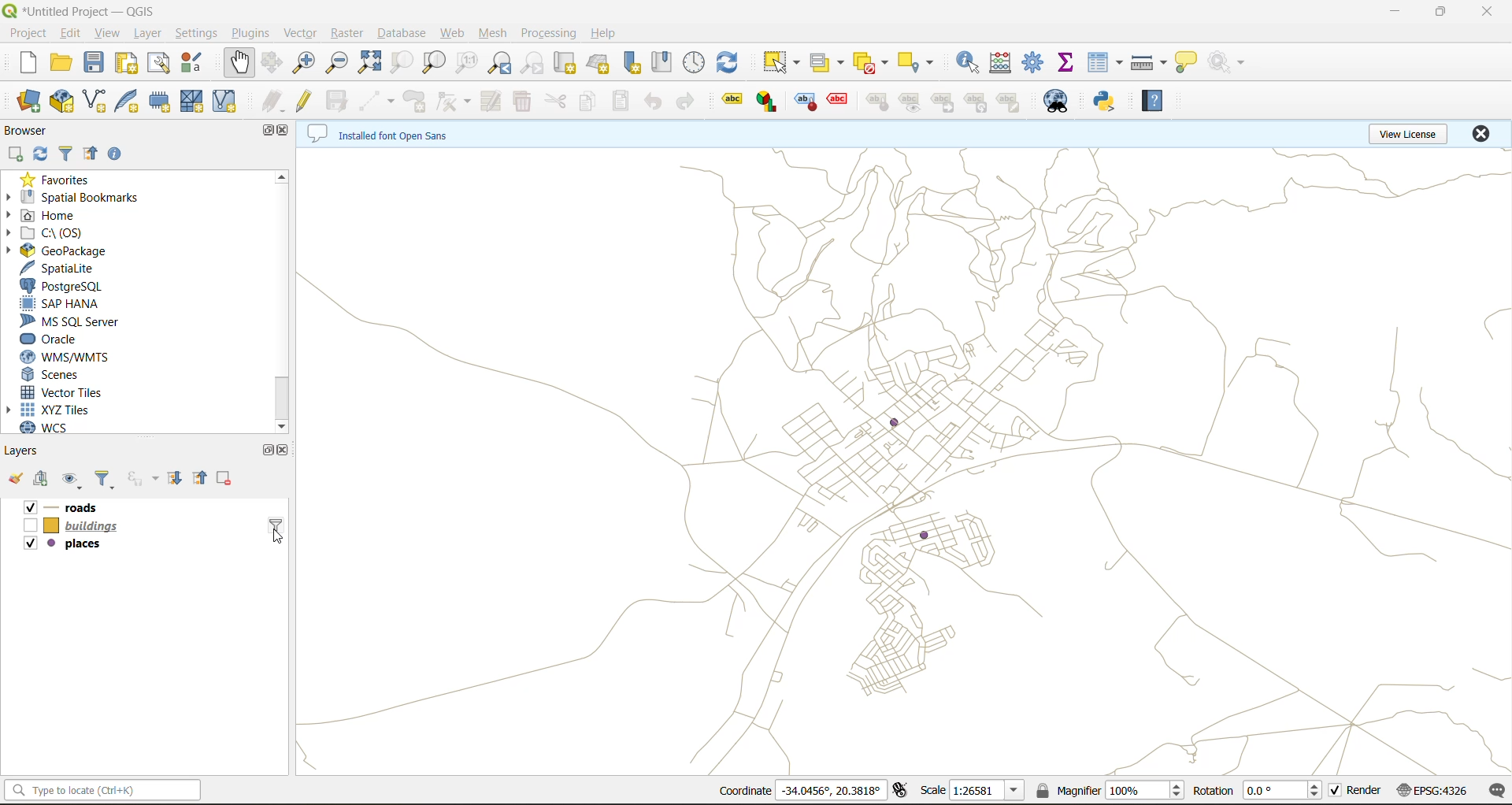  I want to click on cut, so click(557, 102).